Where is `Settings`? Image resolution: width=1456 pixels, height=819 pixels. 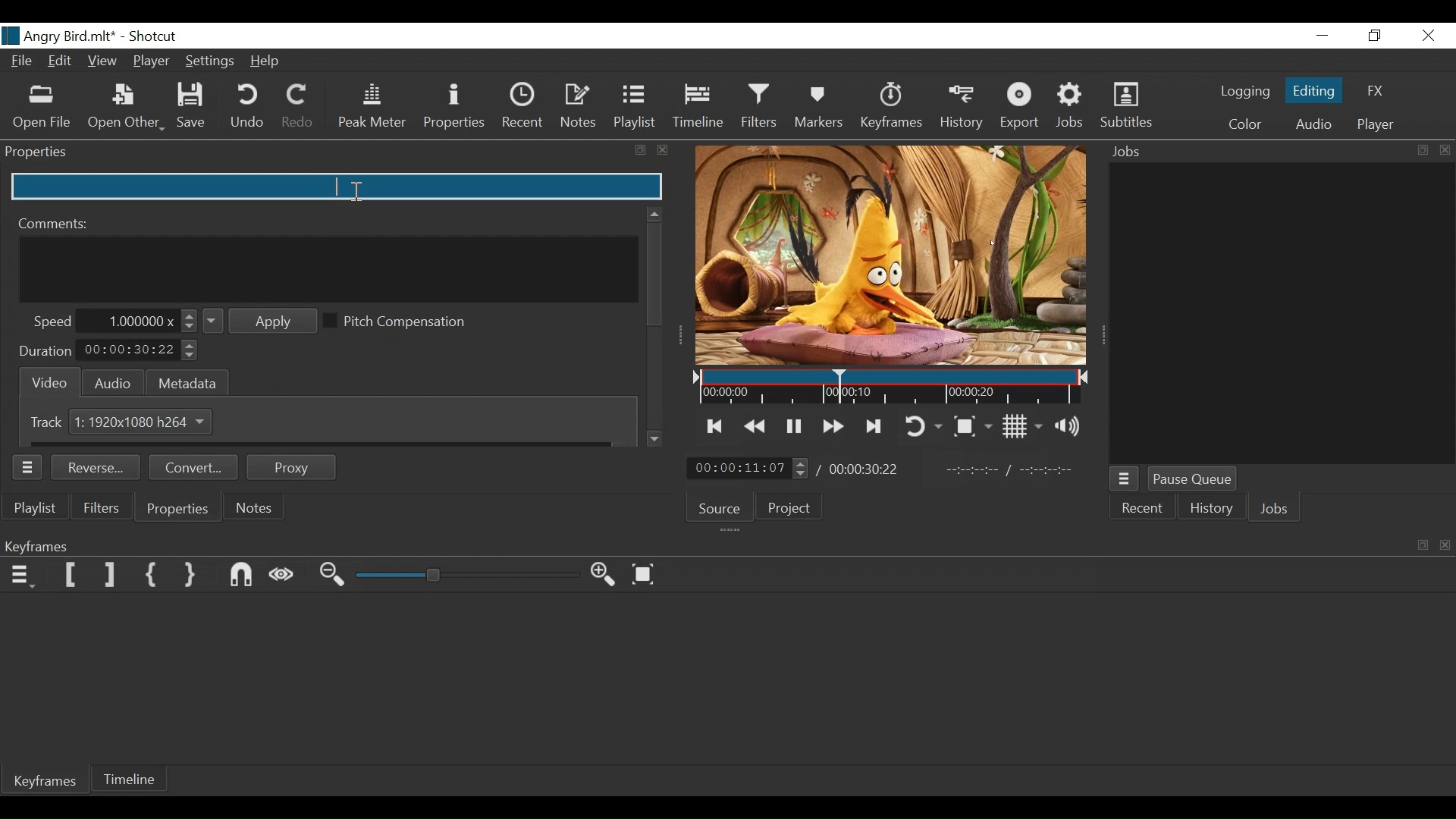 Settings is located at coordinates (210, 61).